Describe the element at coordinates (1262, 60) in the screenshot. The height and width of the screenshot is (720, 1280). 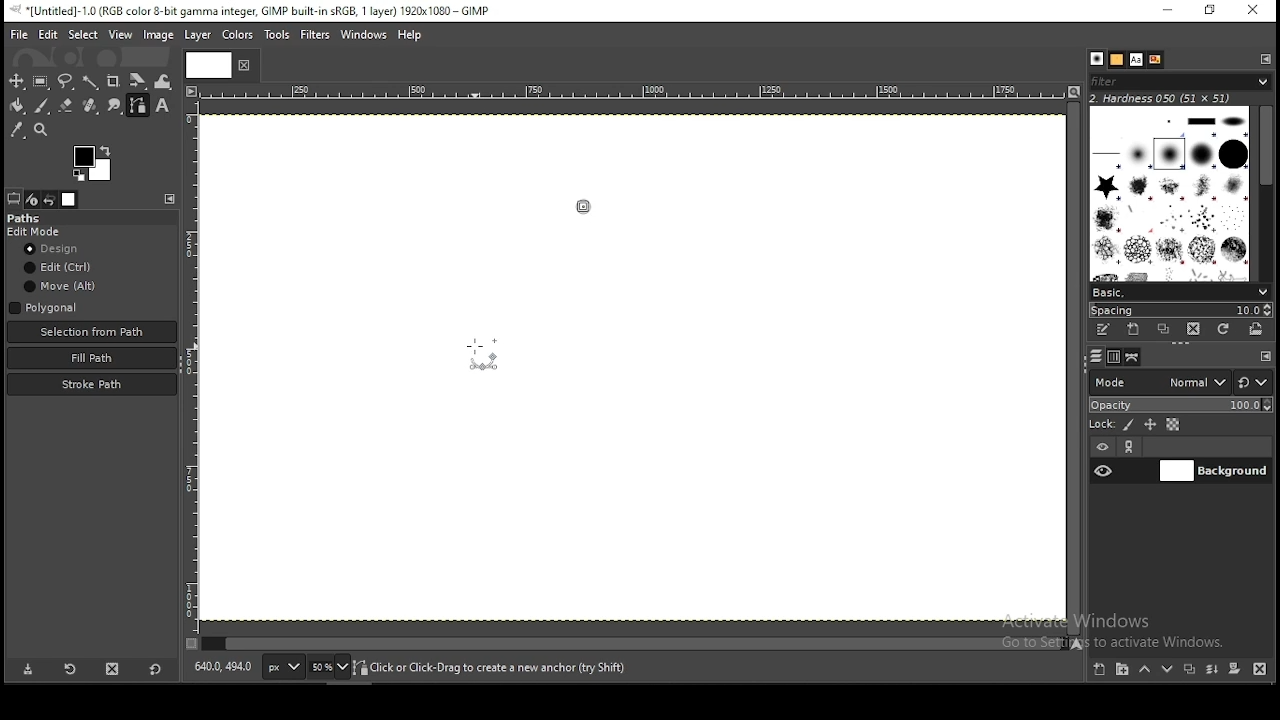
I see `configure this tab` at that location.